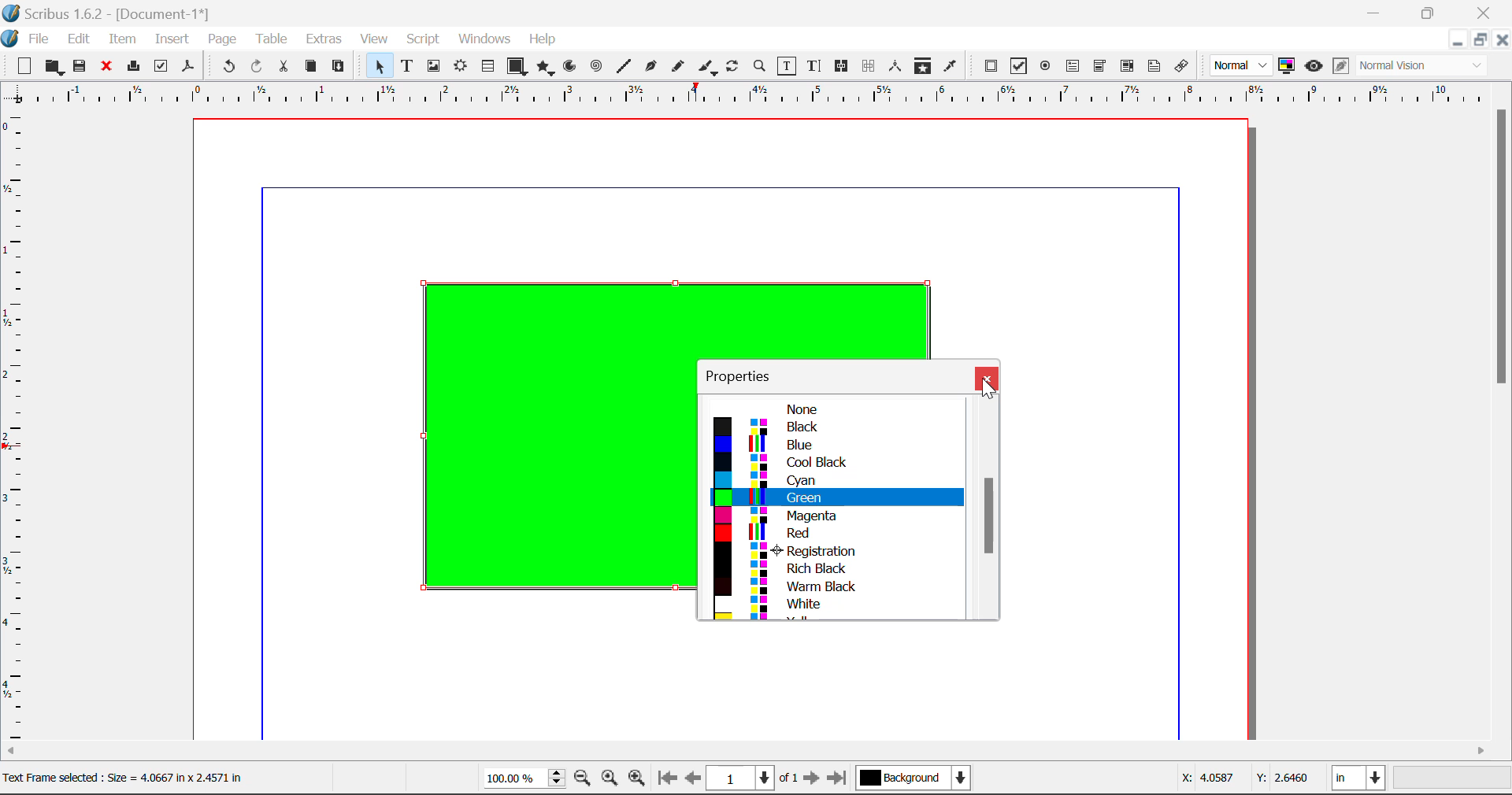  What do you see at coordinates (113, 11) in the screenshot?
I see `Scribus 1.62 - [Document-1*]` at bounding box center [113, 11].